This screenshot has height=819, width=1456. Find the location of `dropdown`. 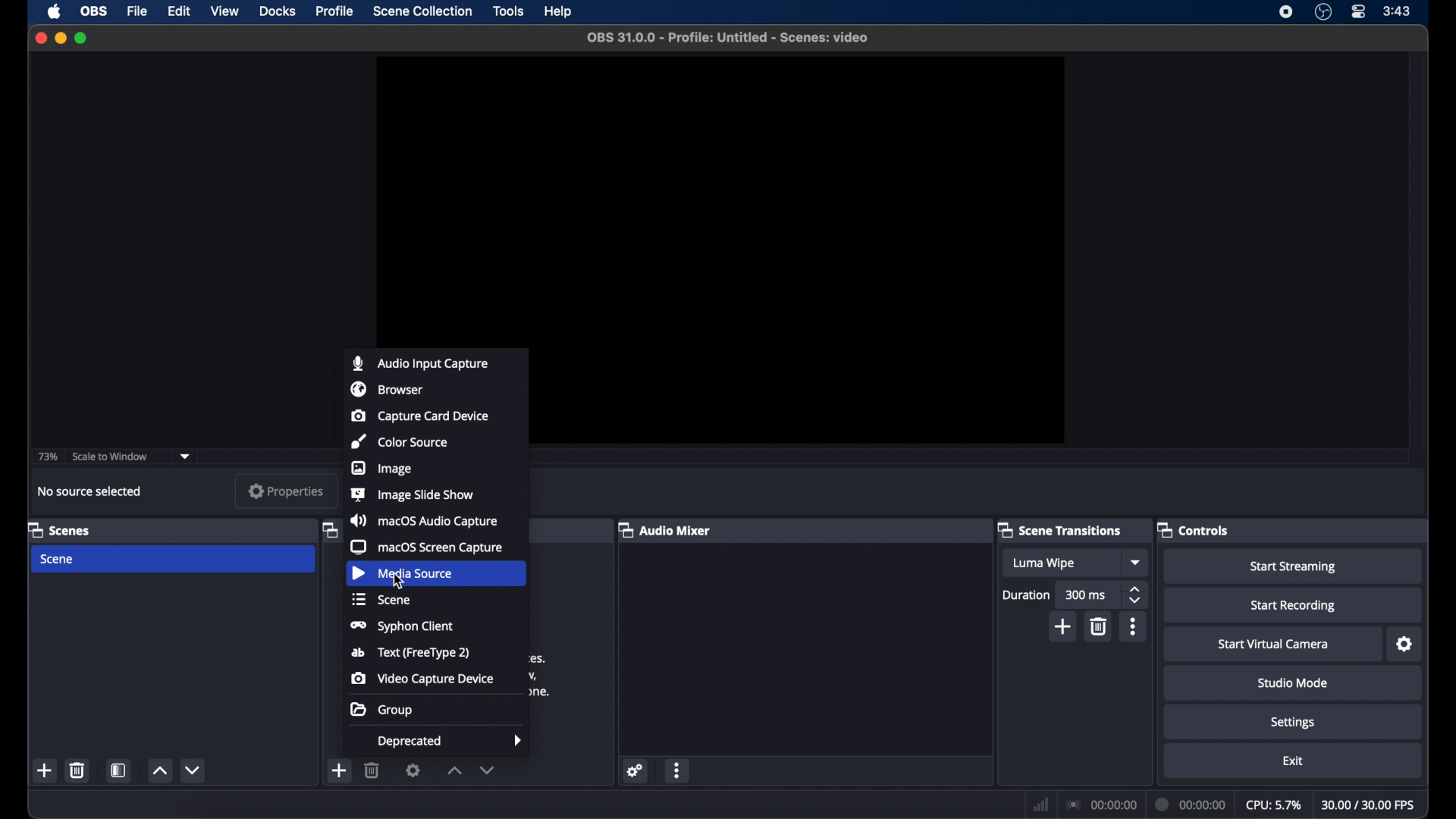

dropdown is located at coordinates (185, 457).